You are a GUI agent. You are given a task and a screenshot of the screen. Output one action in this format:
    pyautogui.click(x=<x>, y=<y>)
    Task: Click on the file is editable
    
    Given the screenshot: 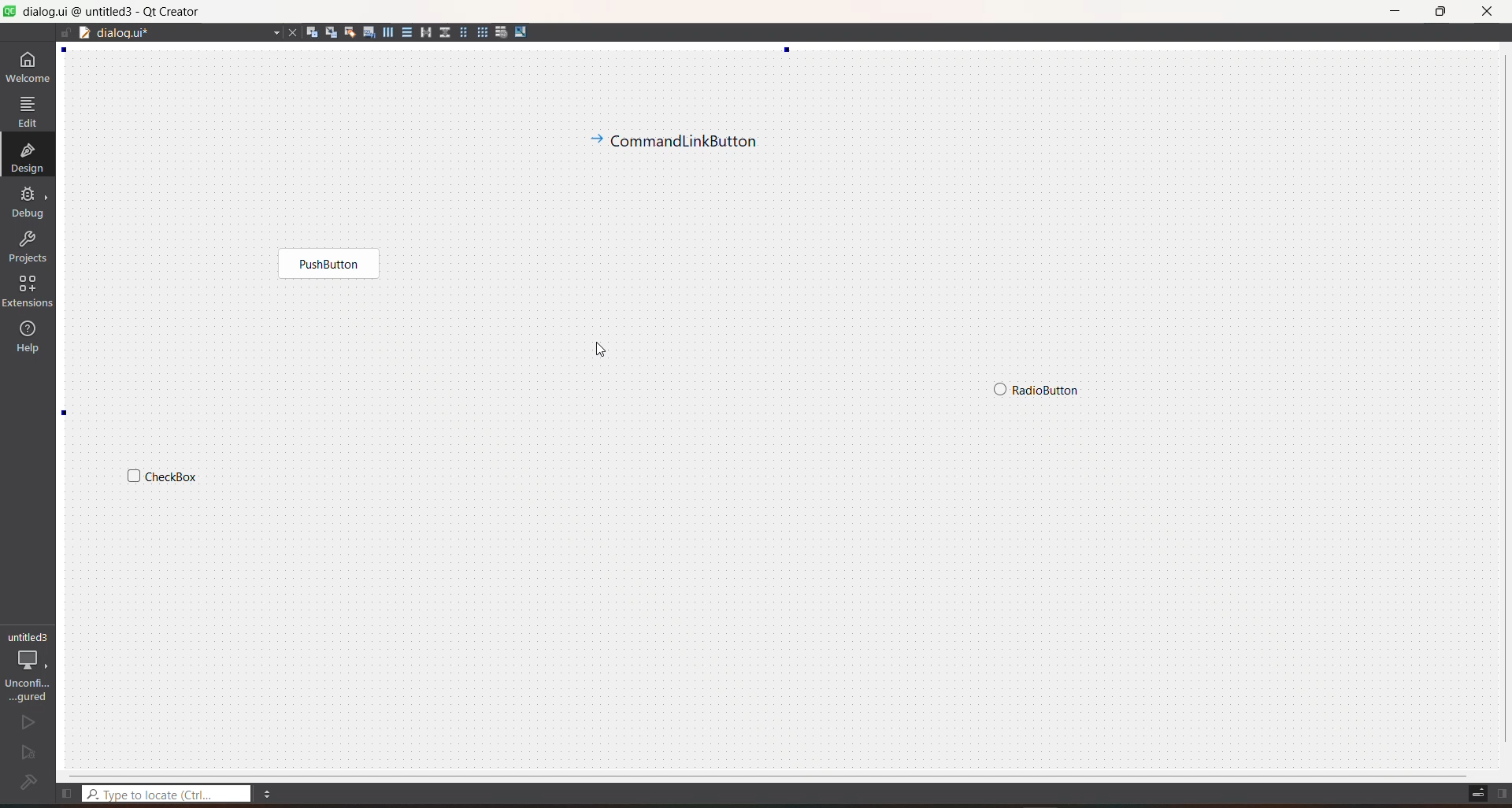 What is the action you would take?
    pyautogui.click(x=63, y=33)
    